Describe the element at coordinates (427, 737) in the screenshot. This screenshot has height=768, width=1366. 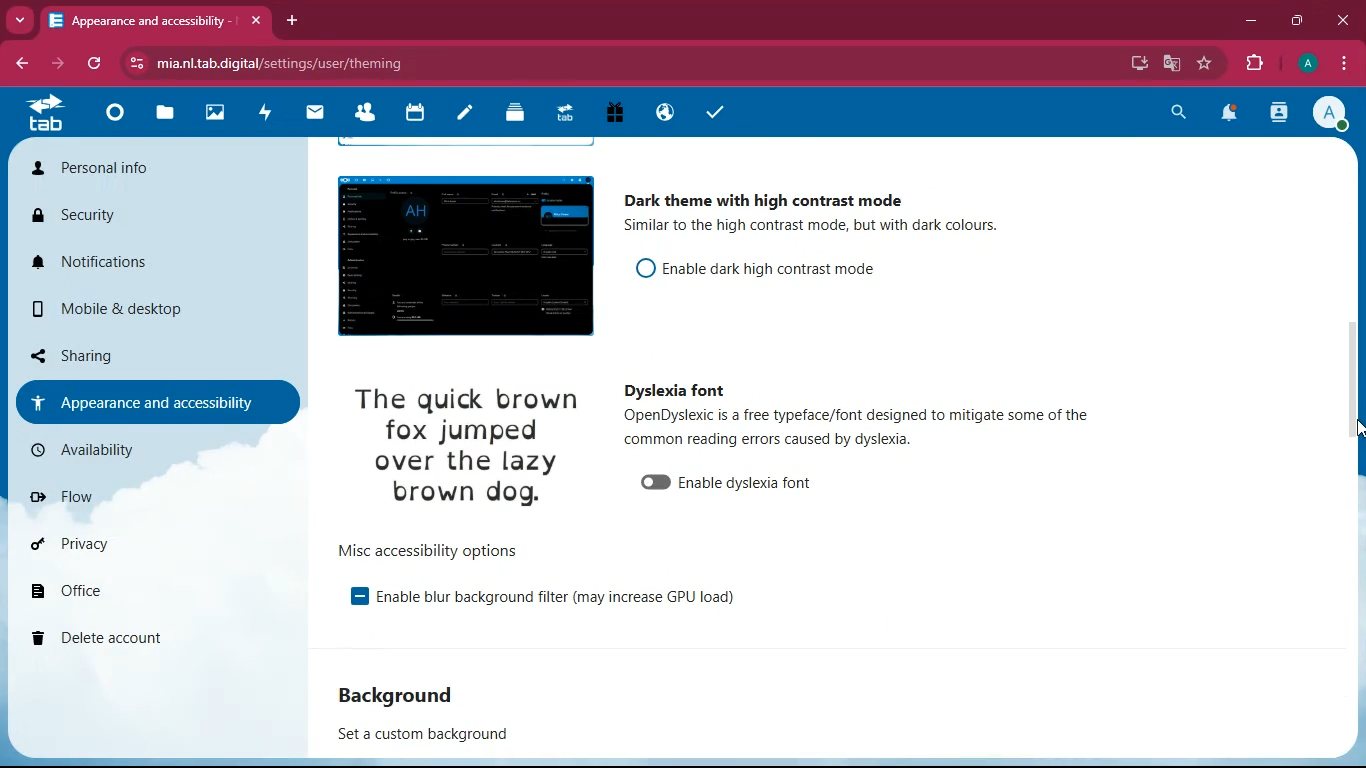
I see `set a custom background` at that location.